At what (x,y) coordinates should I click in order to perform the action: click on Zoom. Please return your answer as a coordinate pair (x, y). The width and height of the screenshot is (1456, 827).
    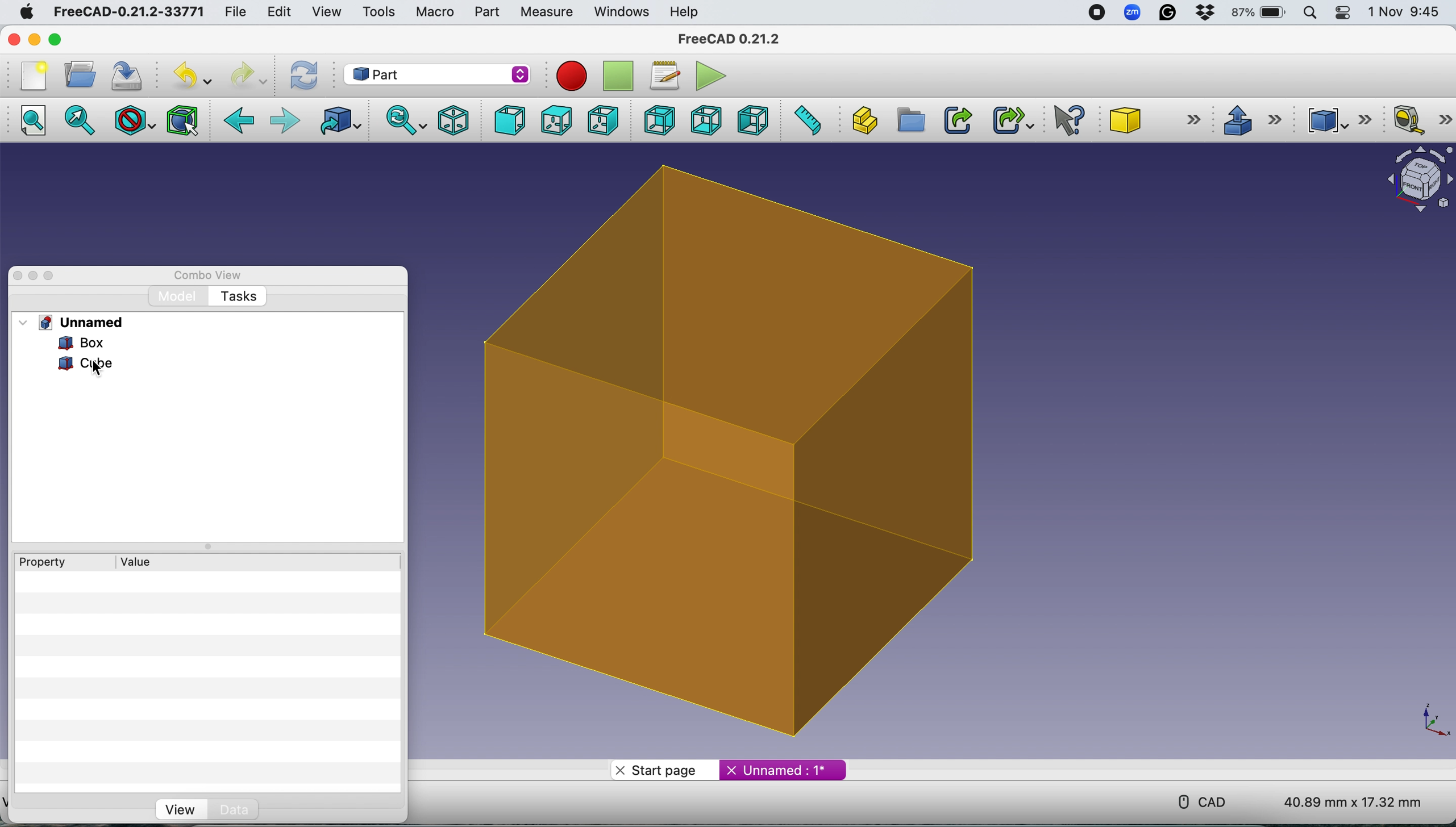
    Looking at the image, I should click on (1133, 14).